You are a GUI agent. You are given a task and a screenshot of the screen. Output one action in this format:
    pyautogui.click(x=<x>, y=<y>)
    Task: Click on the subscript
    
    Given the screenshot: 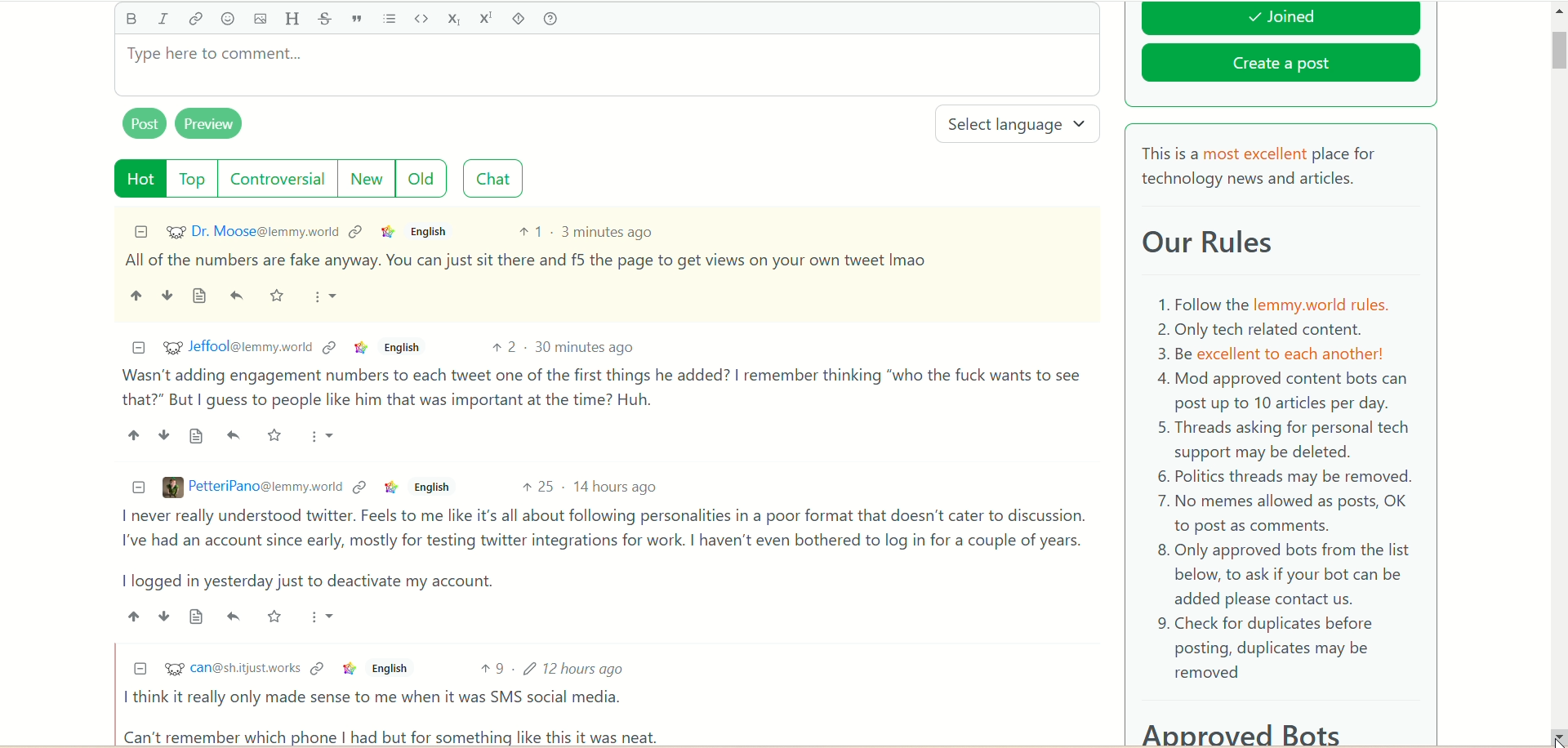 What is the action you would take?
    pyautogui.click(x=455, y=18)
    